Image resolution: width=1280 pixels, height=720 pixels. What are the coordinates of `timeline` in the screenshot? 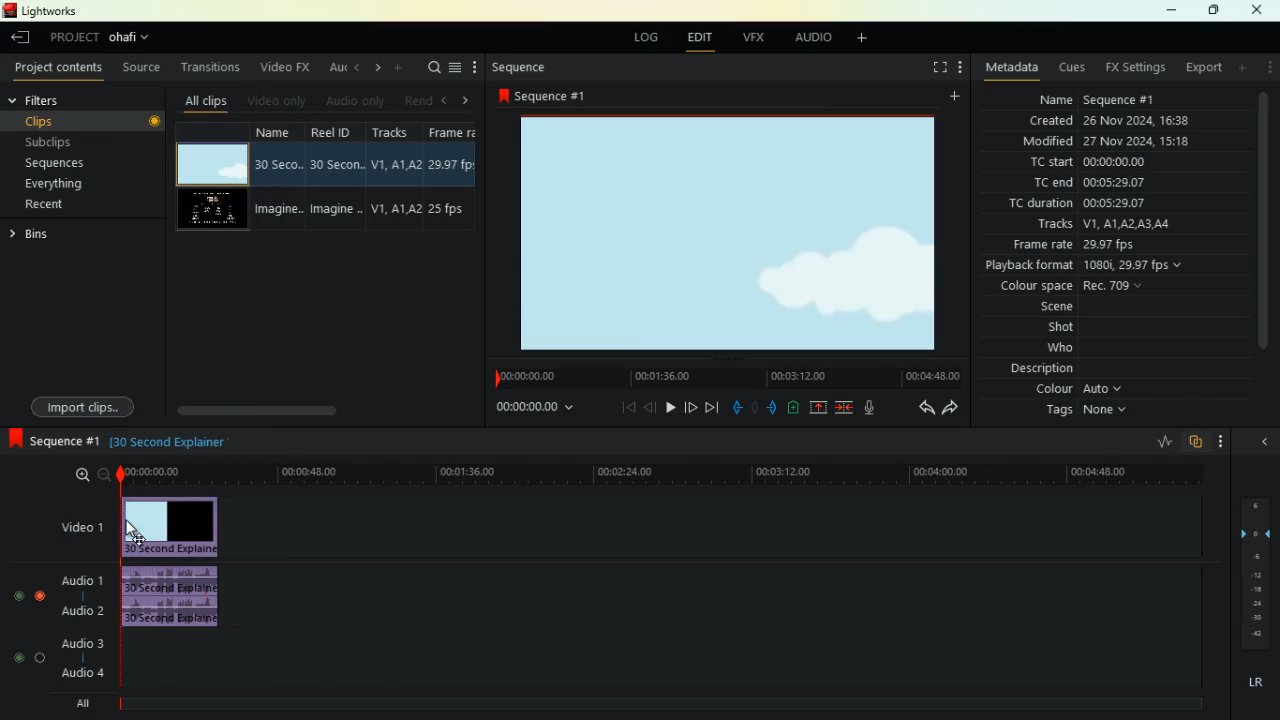 It's located at (657, 704).